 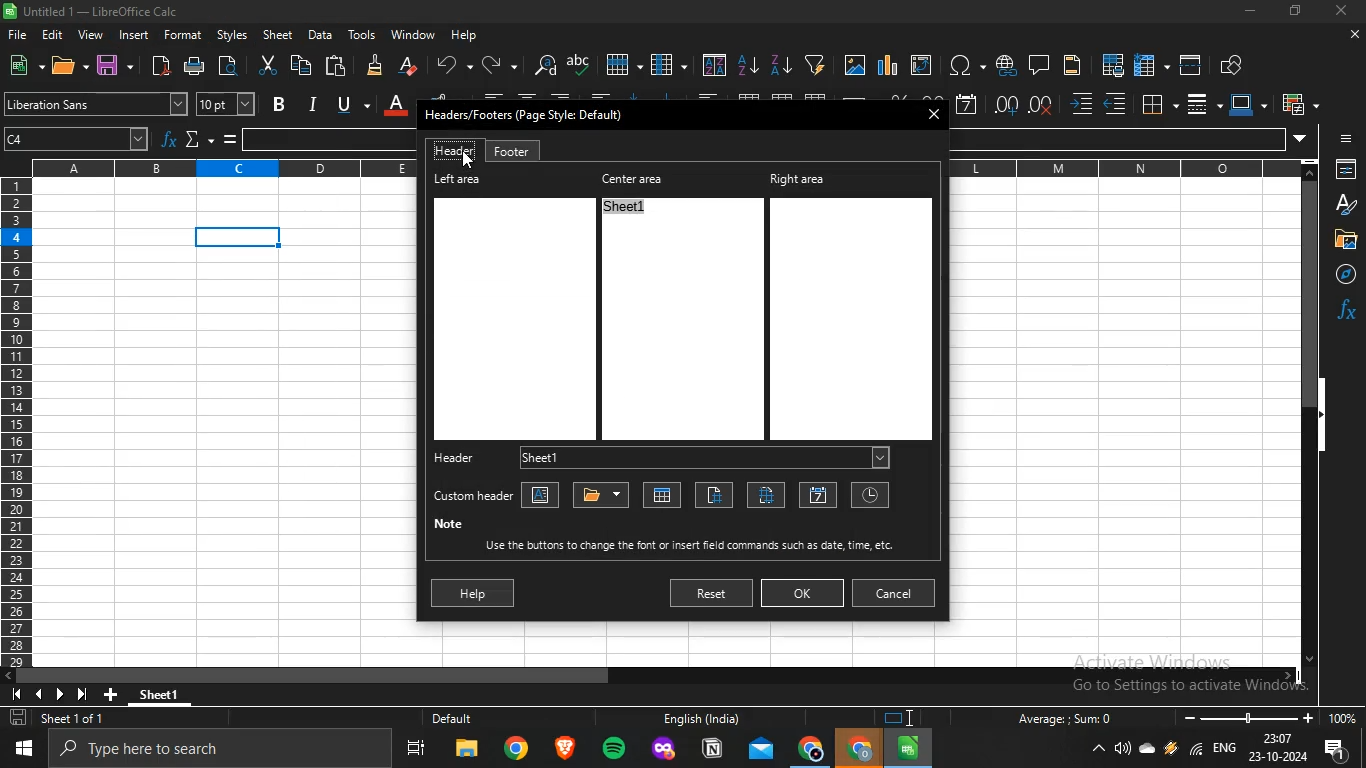 What do you see at coordinates (158, 65) in the screenshot?
I see `export directly as pdf` at bounding box center [158, 65].